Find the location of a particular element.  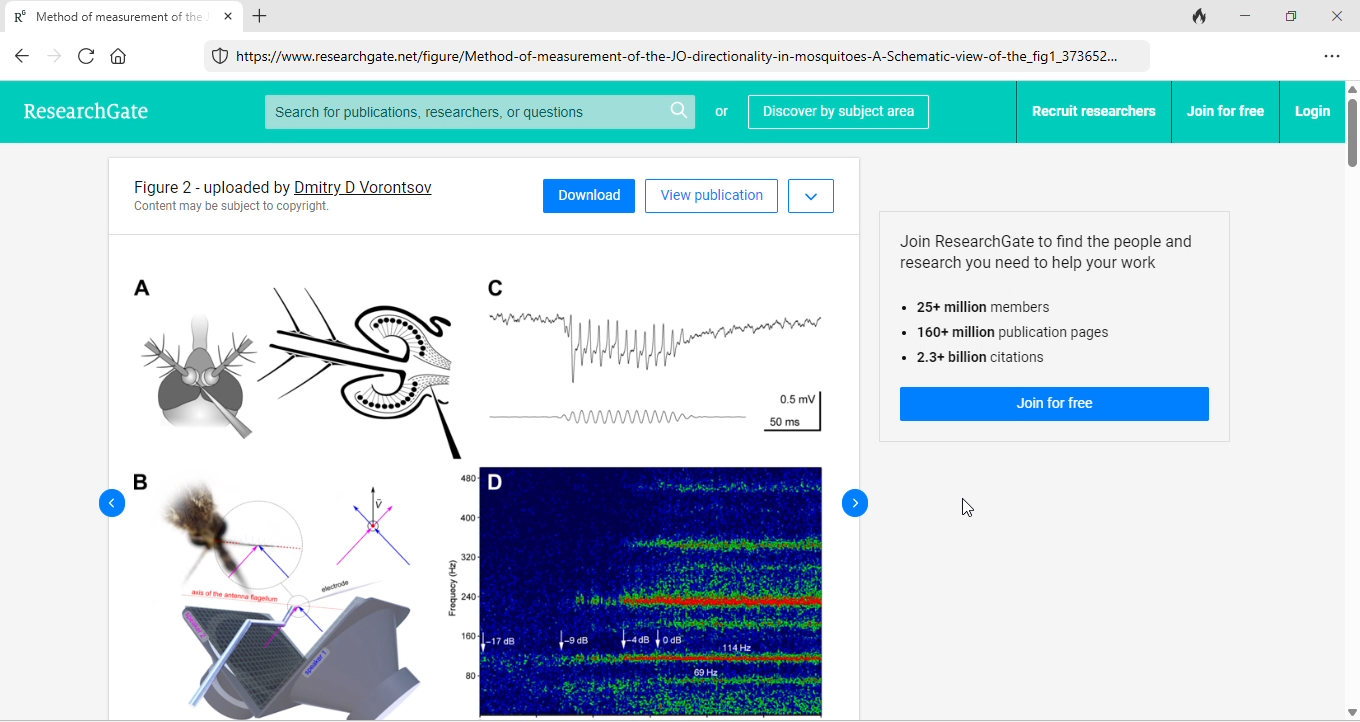

R® Method of measurement of th. is located at coordinates (105, 18).